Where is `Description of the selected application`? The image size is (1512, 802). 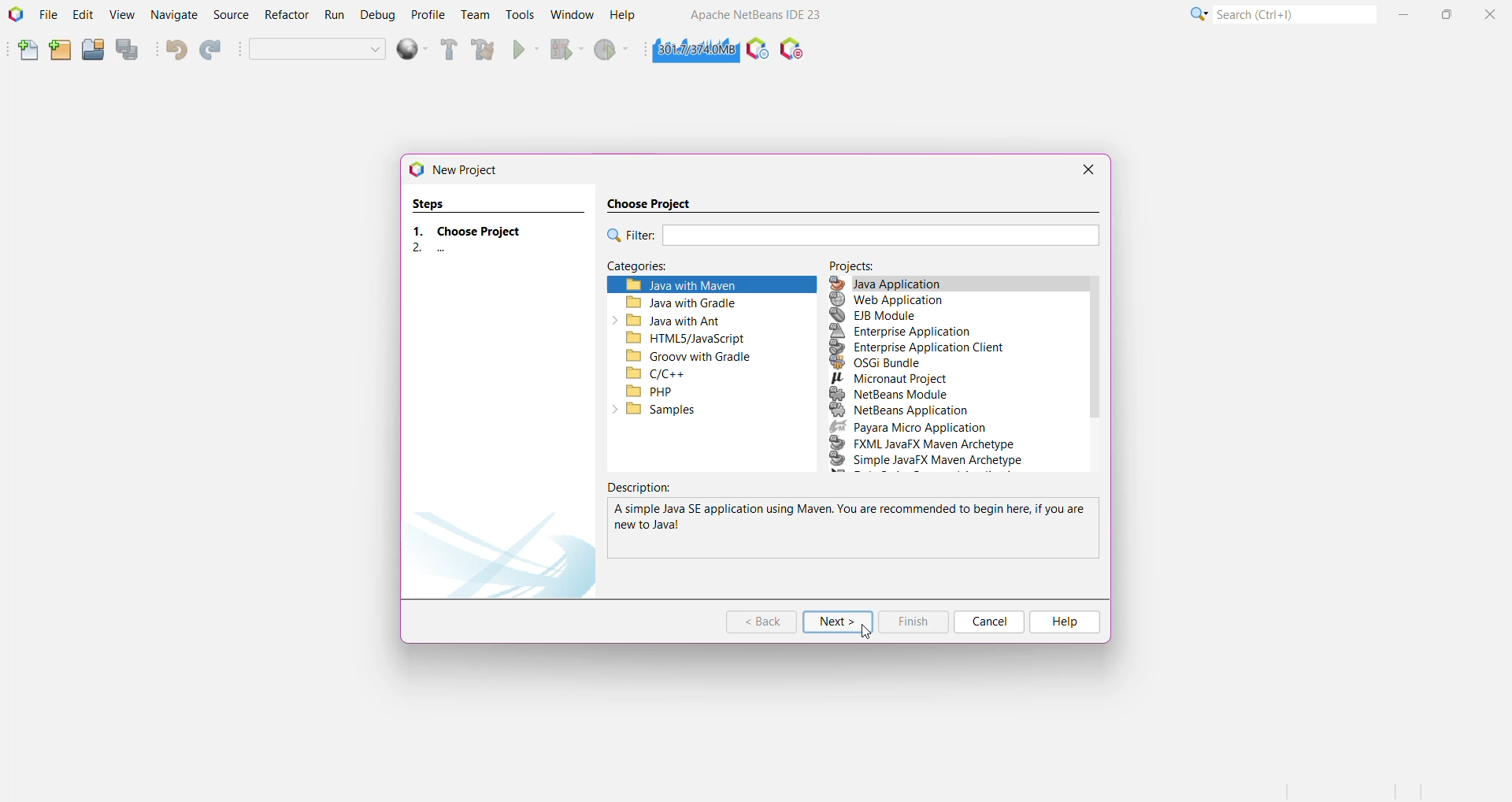
Description of the selected application is located at coordinates (851, 528).